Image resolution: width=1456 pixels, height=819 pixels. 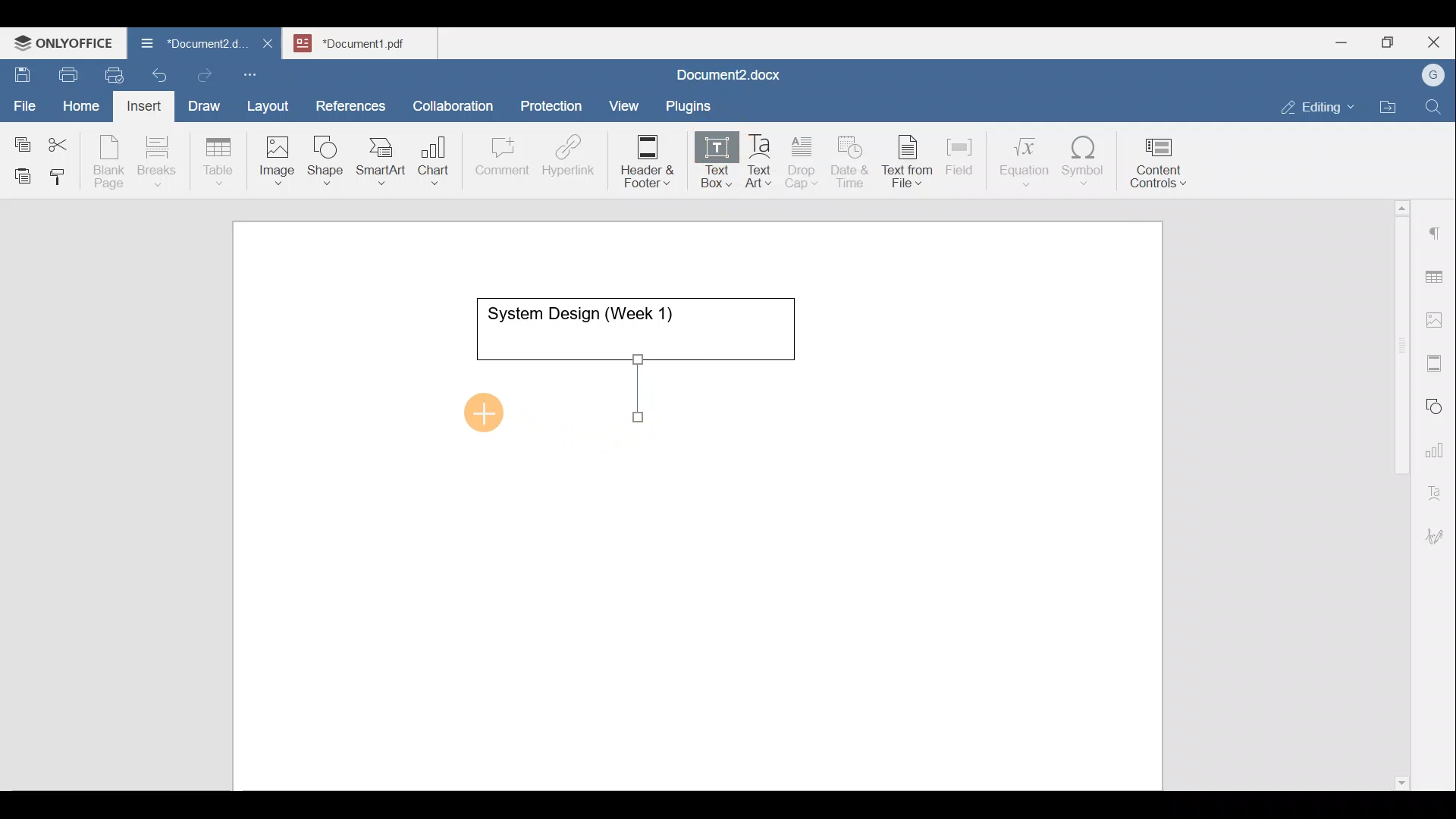 I want to click on Image, so click(x=281, y=155).